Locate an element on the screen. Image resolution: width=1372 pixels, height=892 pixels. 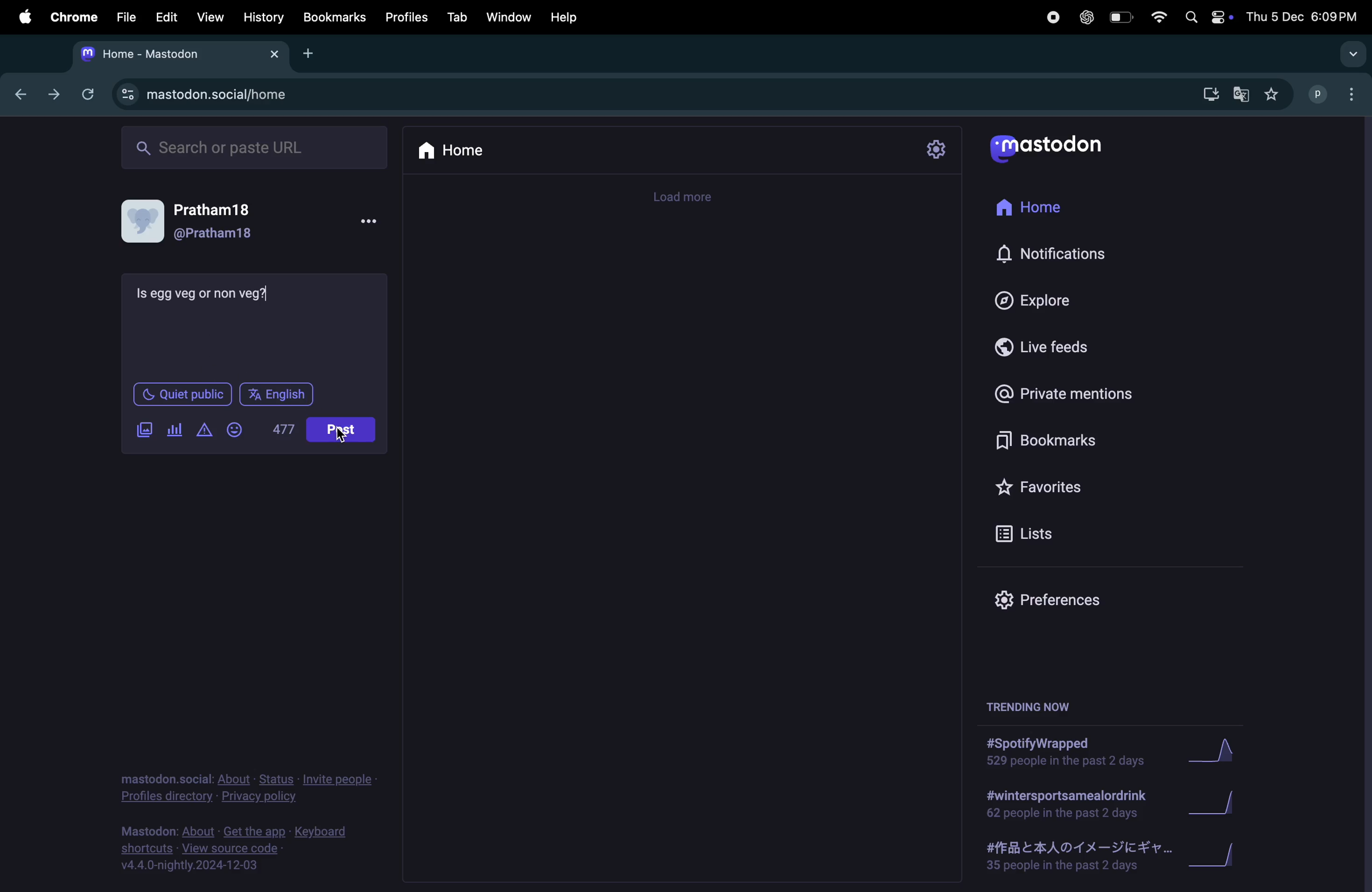
view is located at coordinates (208, 17).